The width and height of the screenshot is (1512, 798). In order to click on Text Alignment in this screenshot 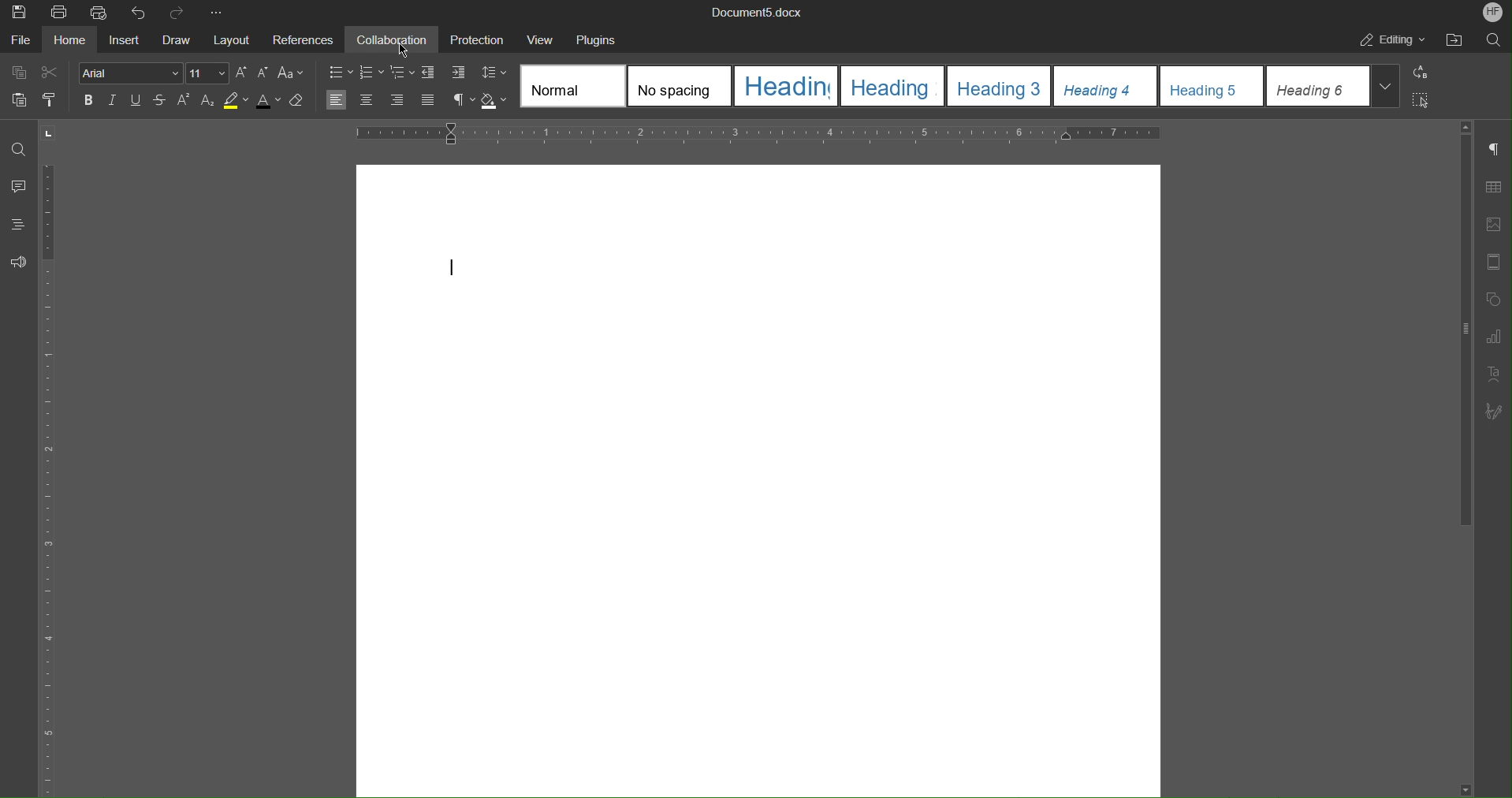, I will do `click(386, 103)`.